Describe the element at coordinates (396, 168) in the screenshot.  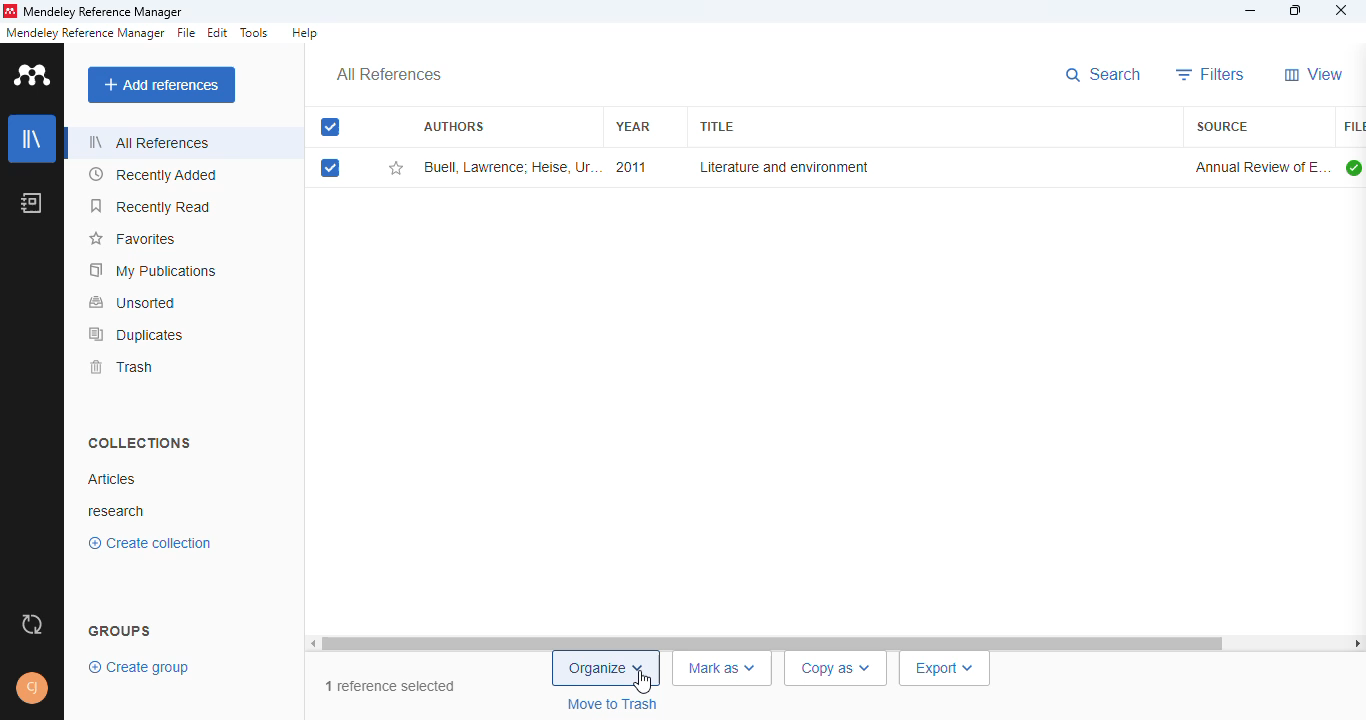
I see `add this reference to favorites` at that location.